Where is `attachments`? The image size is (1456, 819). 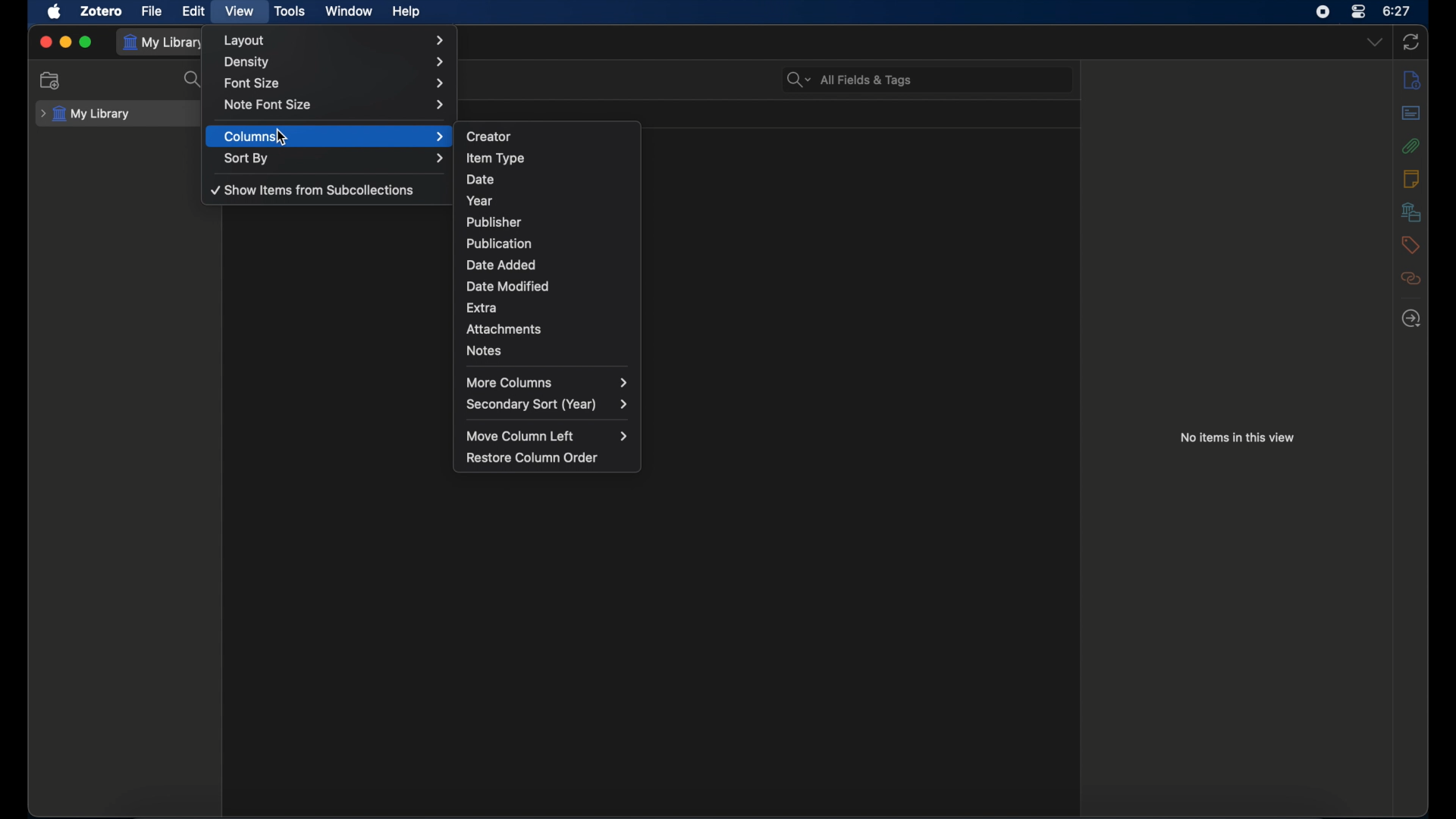
attachments is located at coordinates (1410, 146).